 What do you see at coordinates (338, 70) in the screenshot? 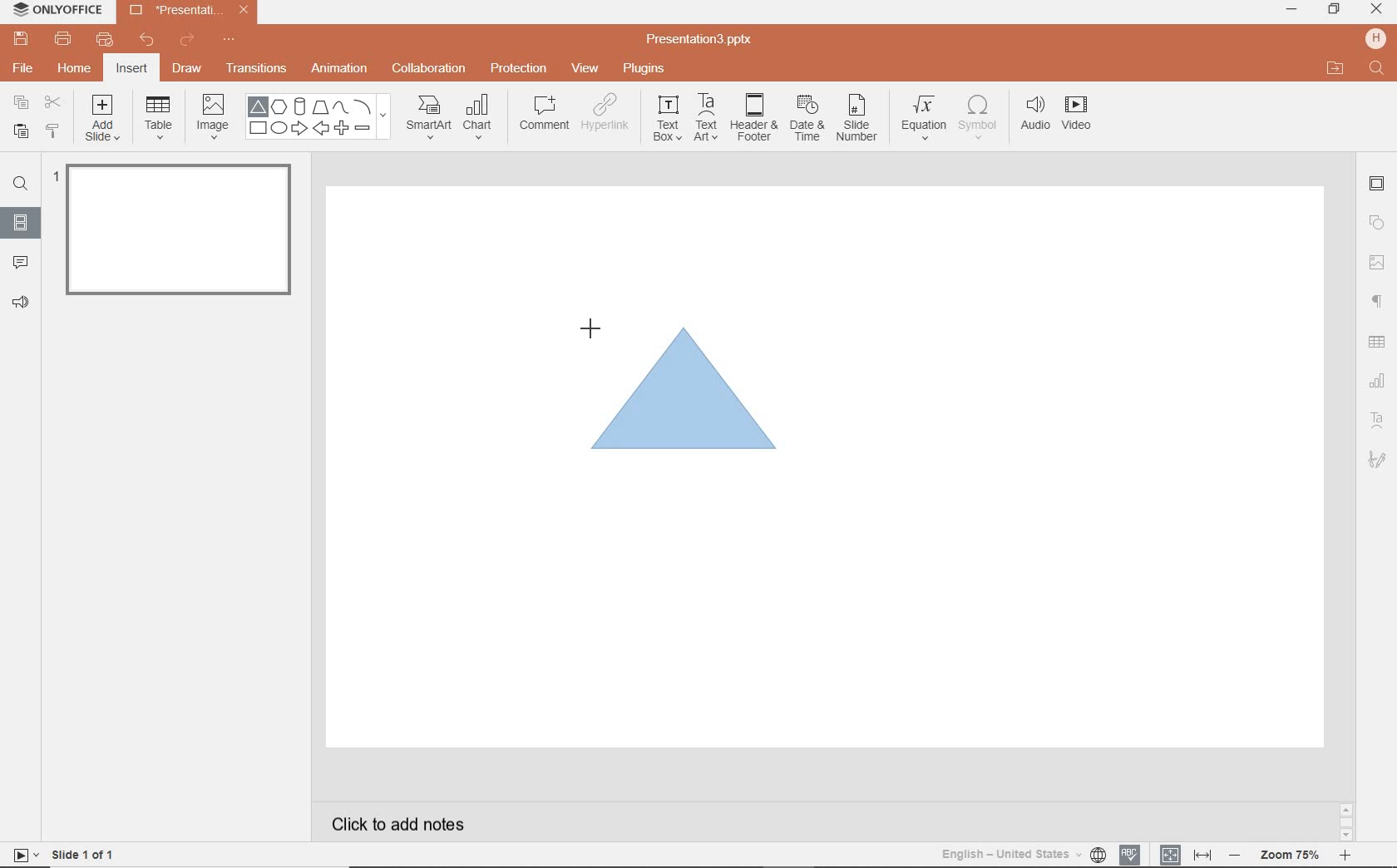
I see `ANIMATION` at bounding box center [338, 70].